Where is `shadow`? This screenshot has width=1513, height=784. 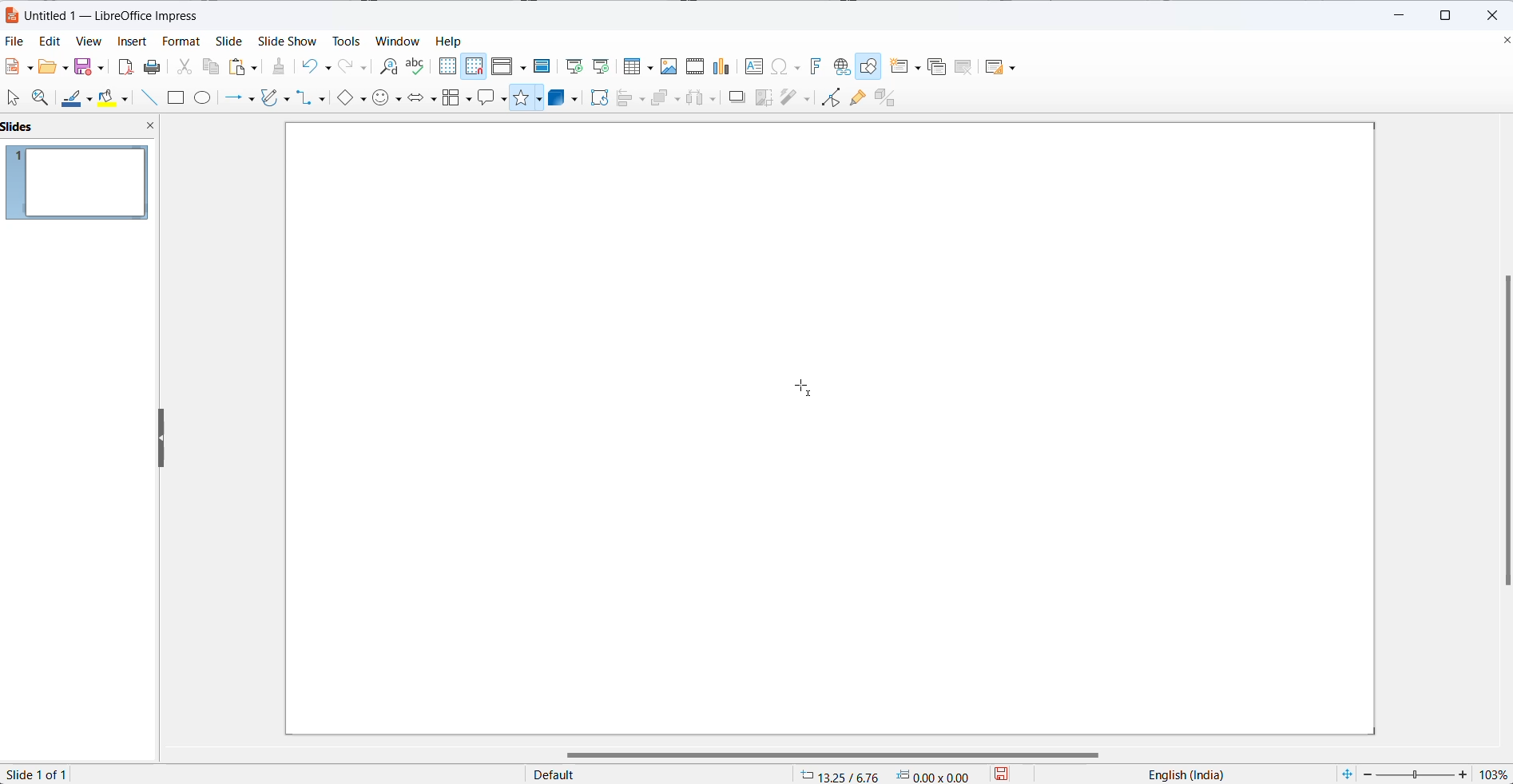
shadow is located at coordinates (738, 98).